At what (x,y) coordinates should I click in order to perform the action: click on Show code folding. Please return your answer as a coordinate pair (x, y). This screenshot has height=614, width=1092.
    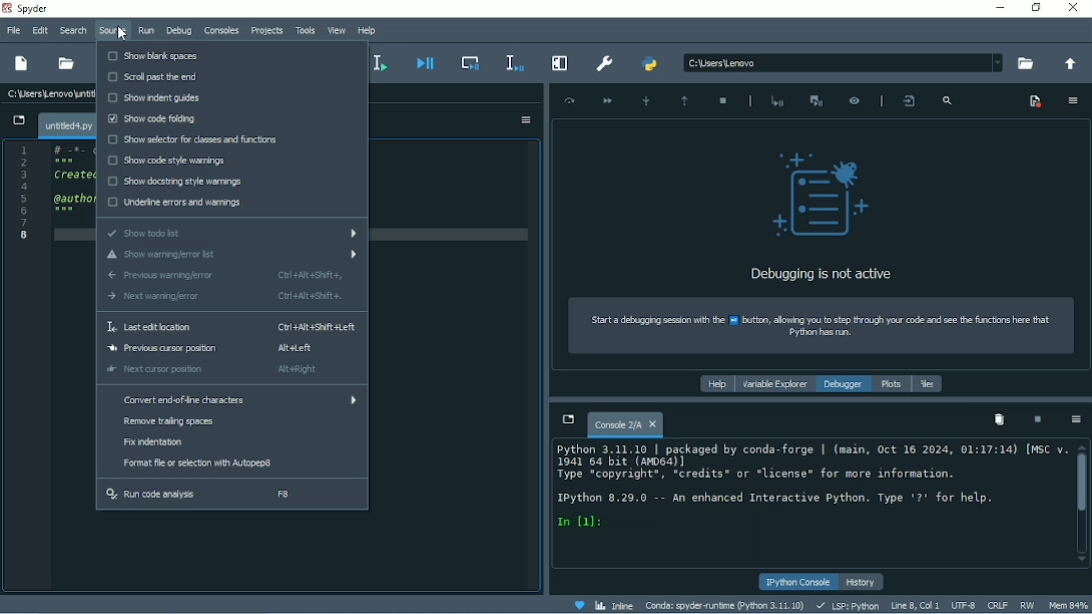
    Looking at the image, I should click on (229, 118).